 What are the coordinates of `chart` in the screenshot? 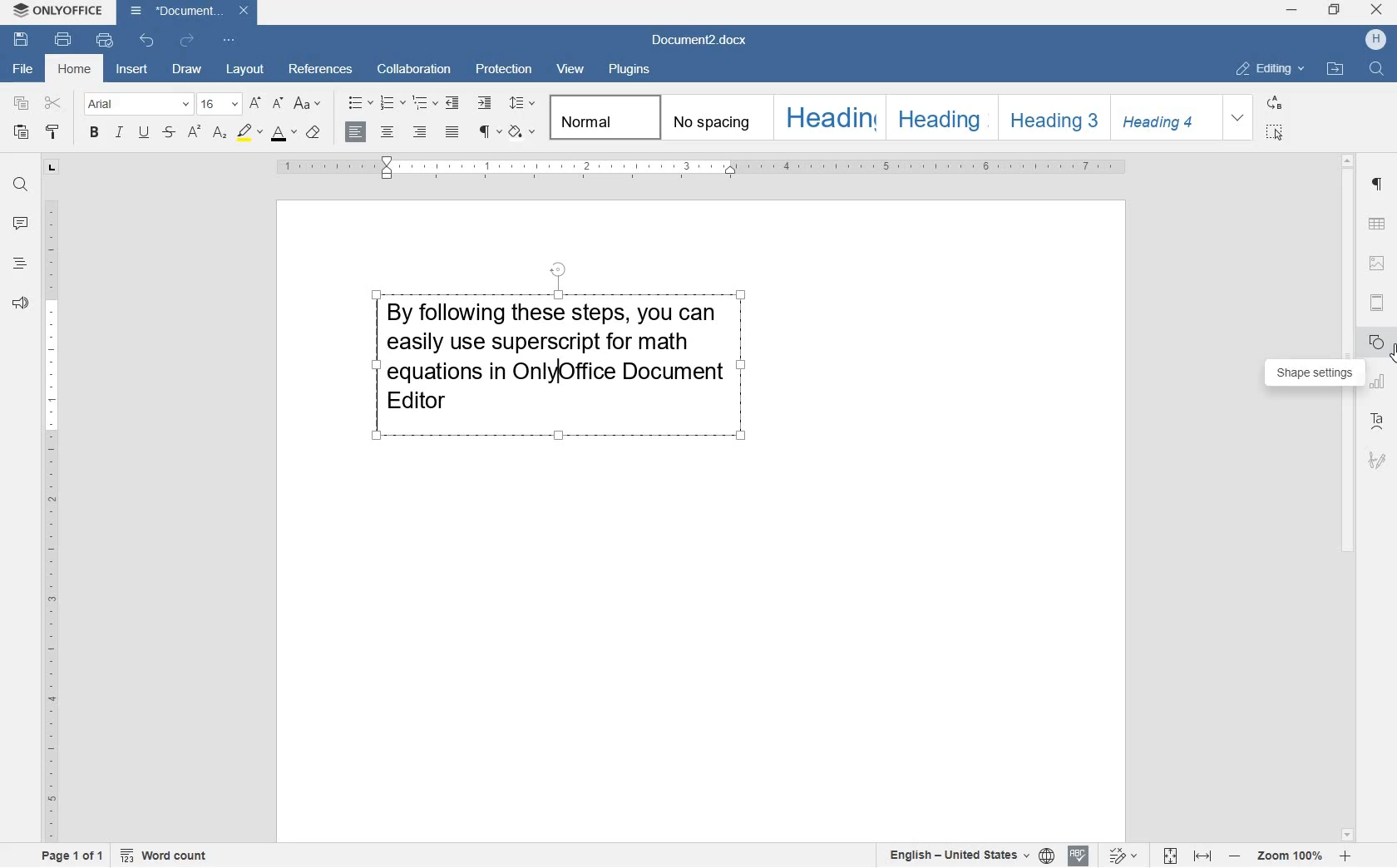 It's located at (1377, 382).